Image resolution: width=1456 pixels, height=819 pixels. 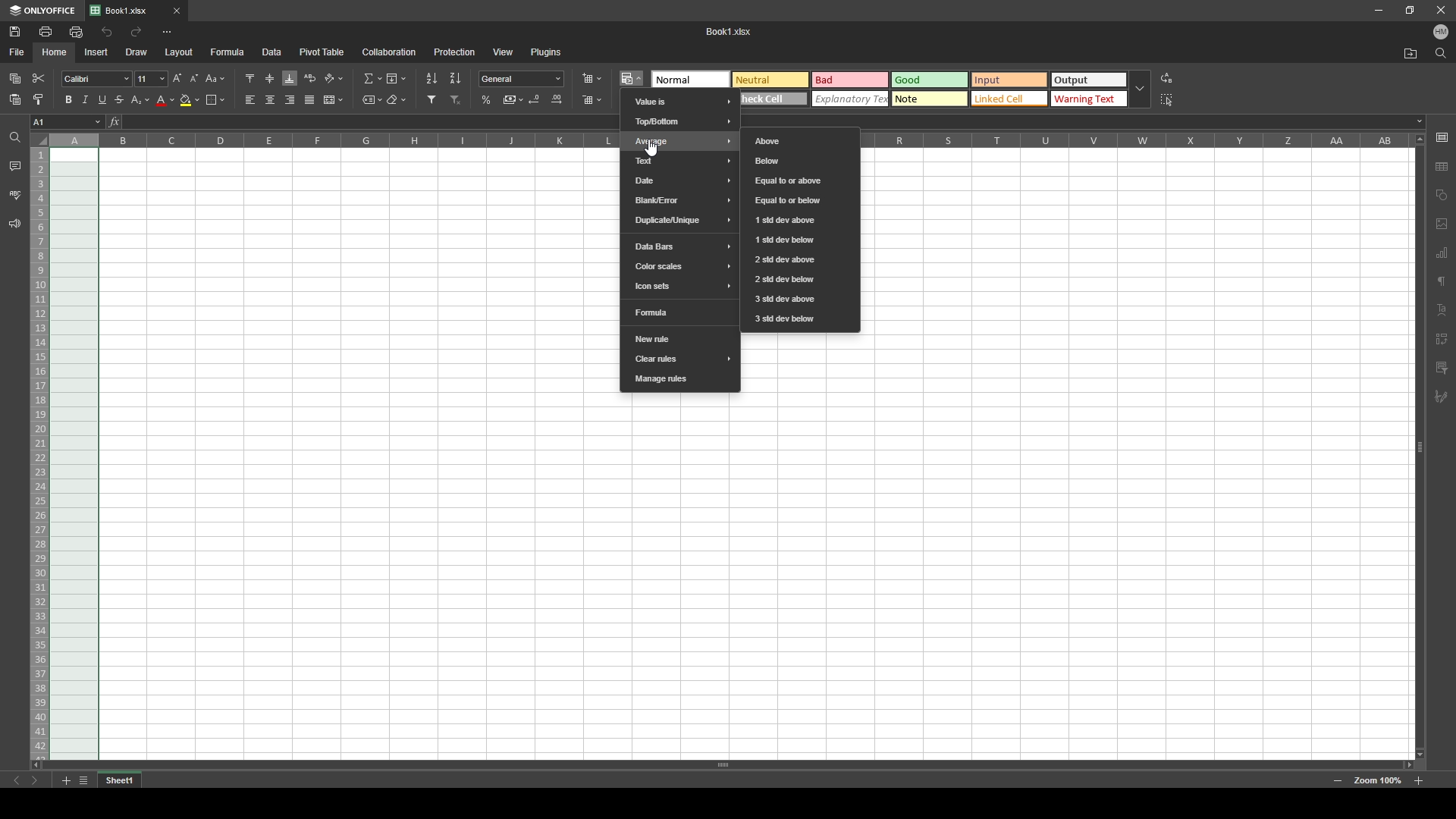 I want to click on wrap text, so click(x=311, y=77).